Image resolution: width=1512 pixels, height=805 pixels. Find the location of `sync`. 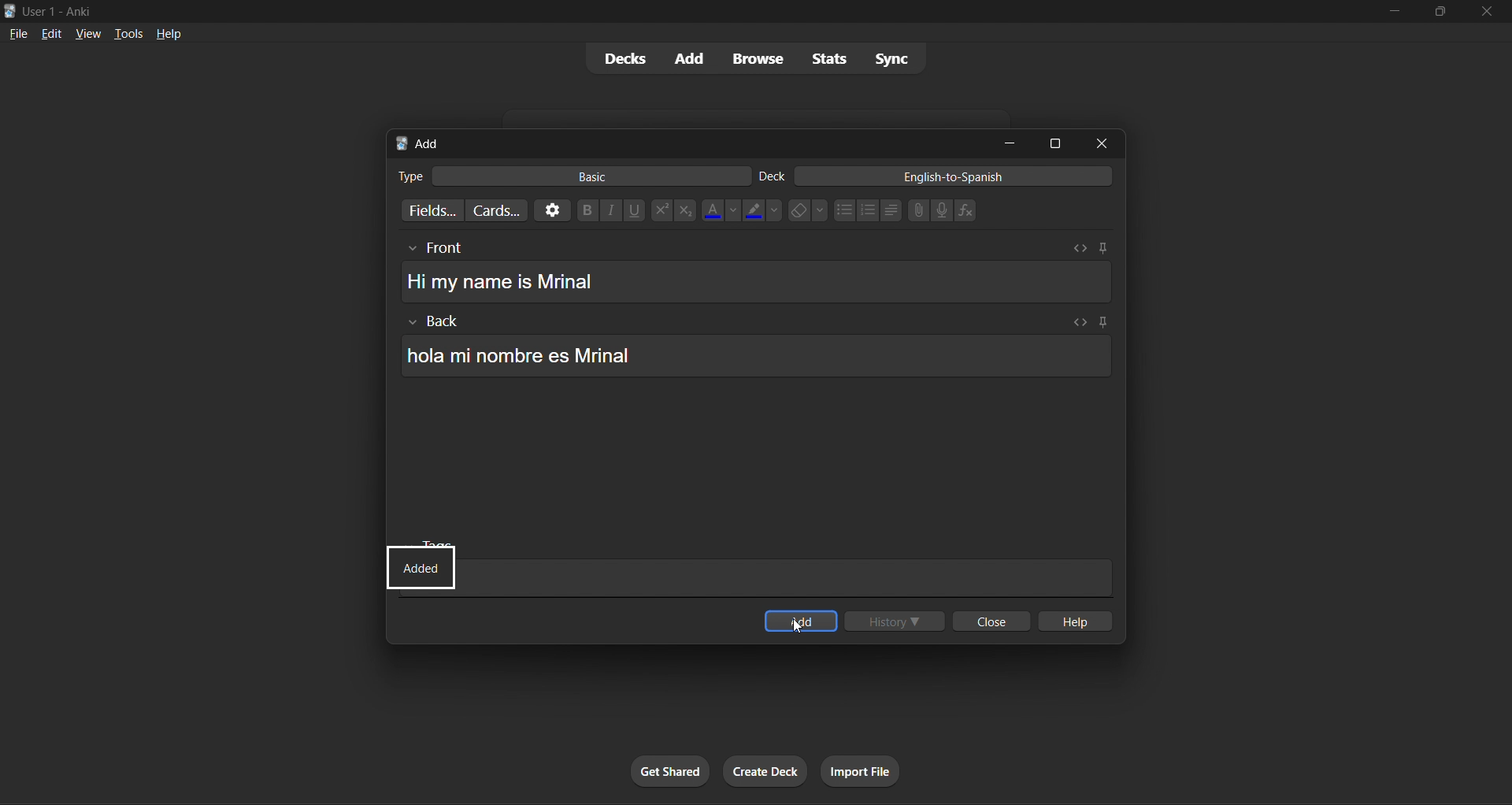

sync is located at coordinates (891, 59).